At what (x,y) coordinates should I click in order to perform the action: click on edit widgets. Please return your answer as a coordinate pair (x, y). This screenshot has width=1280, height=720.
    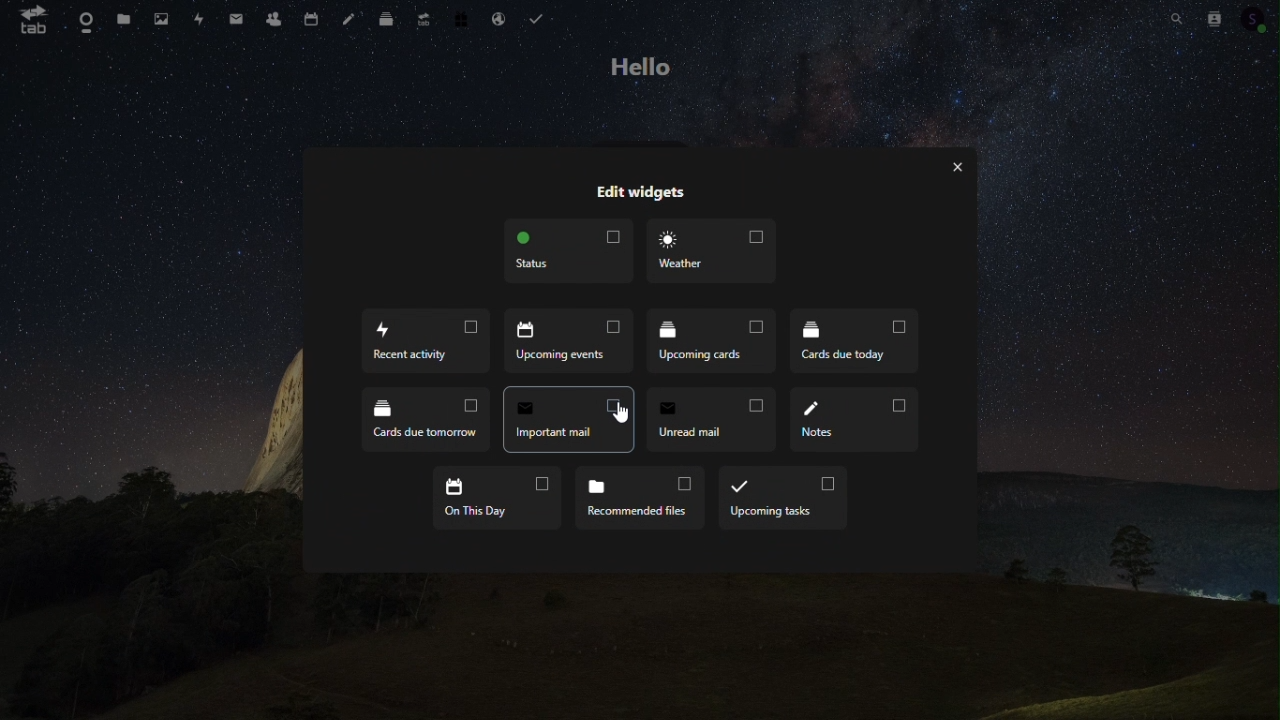
    Looking at the image, I should click on (643, 191).